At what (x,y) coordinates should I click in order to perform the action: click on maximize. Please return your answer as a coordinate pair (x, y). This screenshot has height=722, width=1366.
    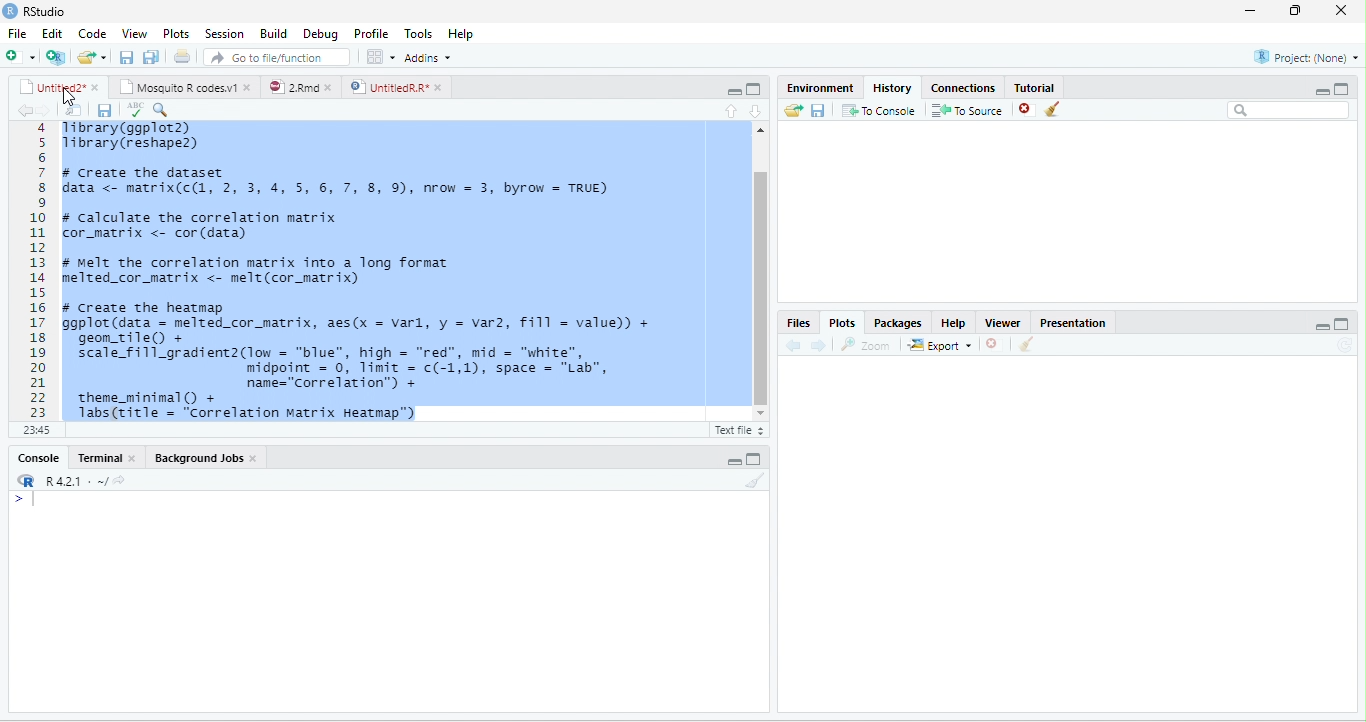
    Looking at the image, I should click on (755, 459).